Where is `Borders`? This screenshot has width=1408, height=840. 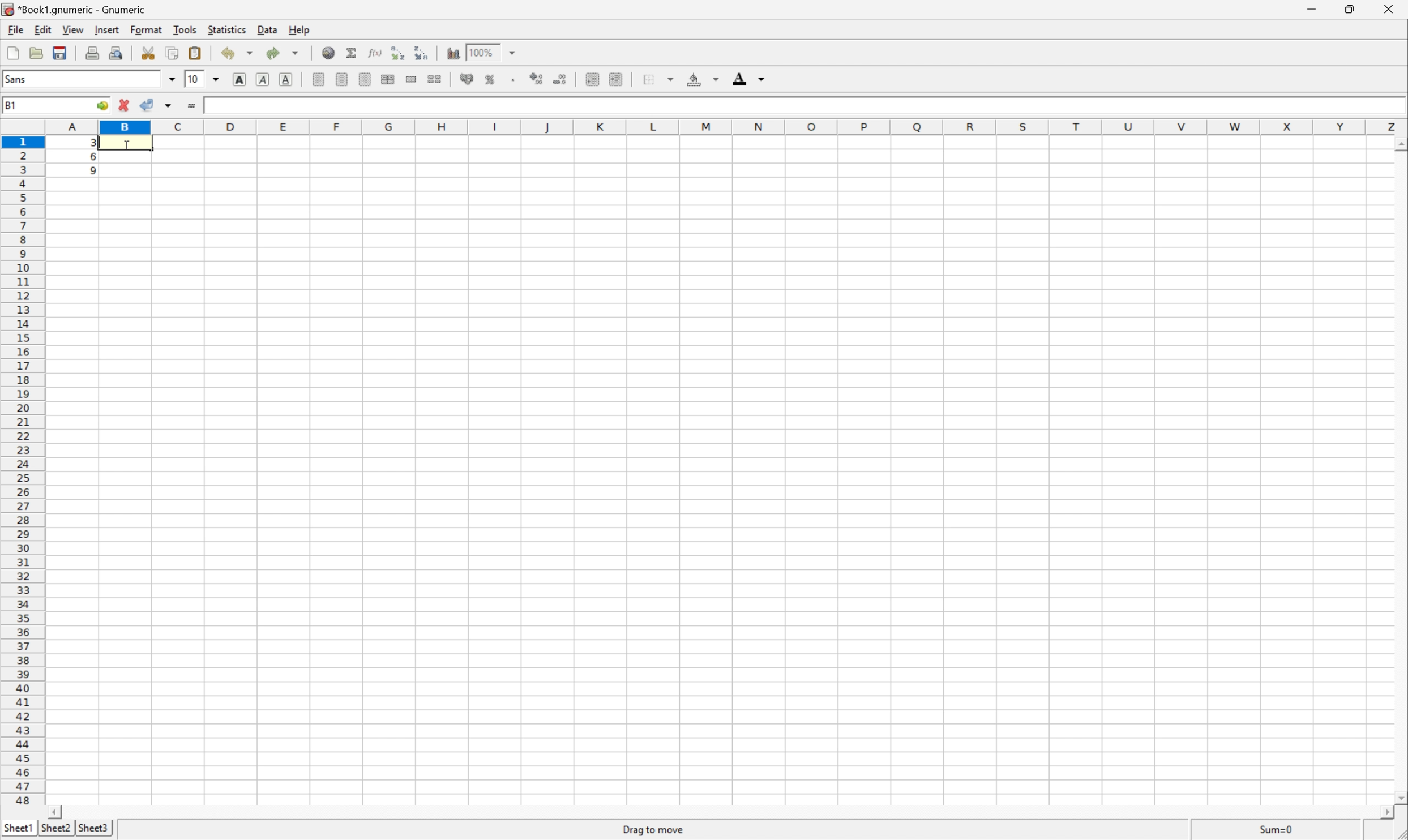
Borders is located at coordinates (657, 79).